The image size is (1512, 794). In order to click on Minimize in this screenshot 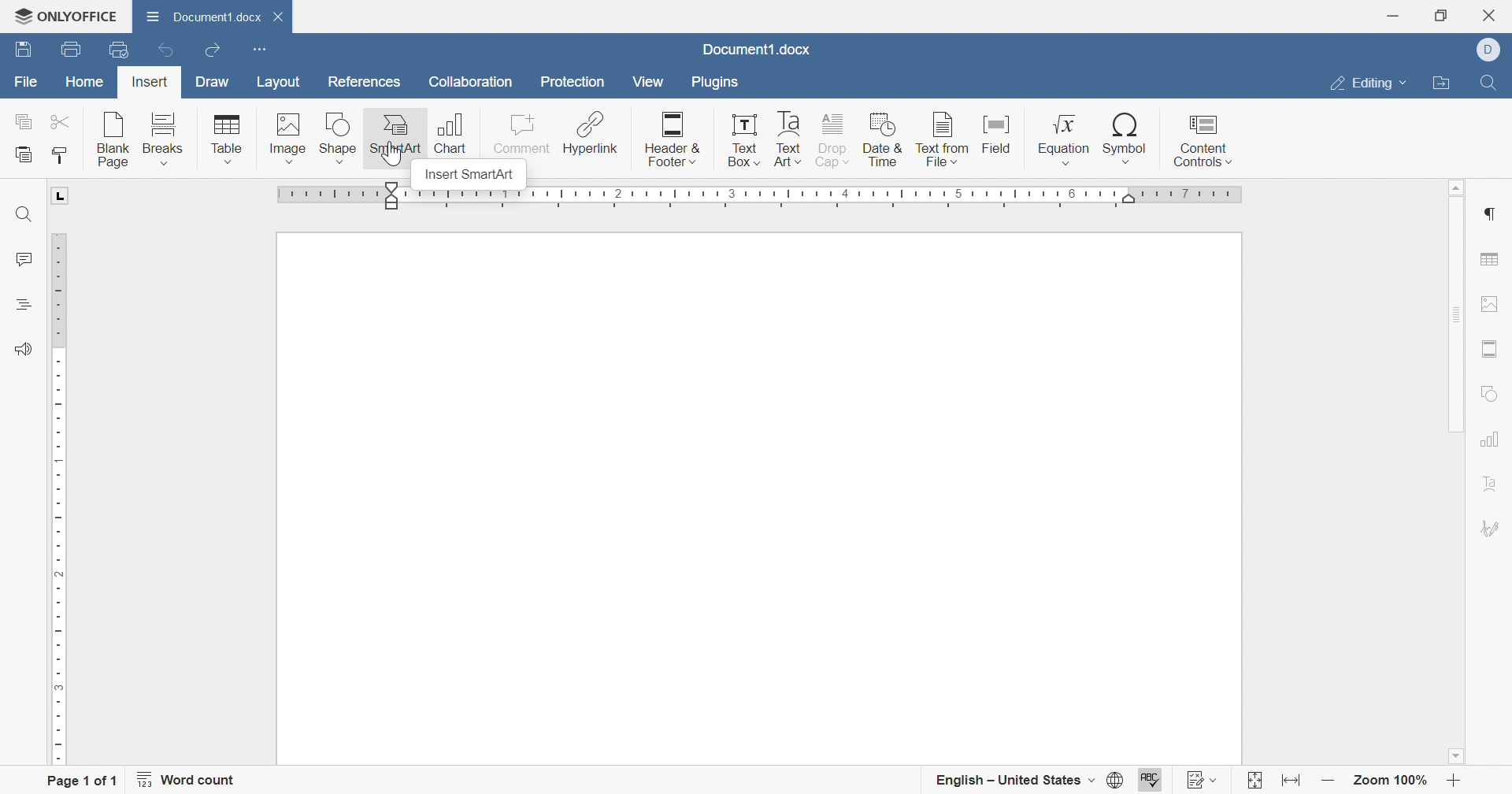, I will do `click(1393, 17)`.